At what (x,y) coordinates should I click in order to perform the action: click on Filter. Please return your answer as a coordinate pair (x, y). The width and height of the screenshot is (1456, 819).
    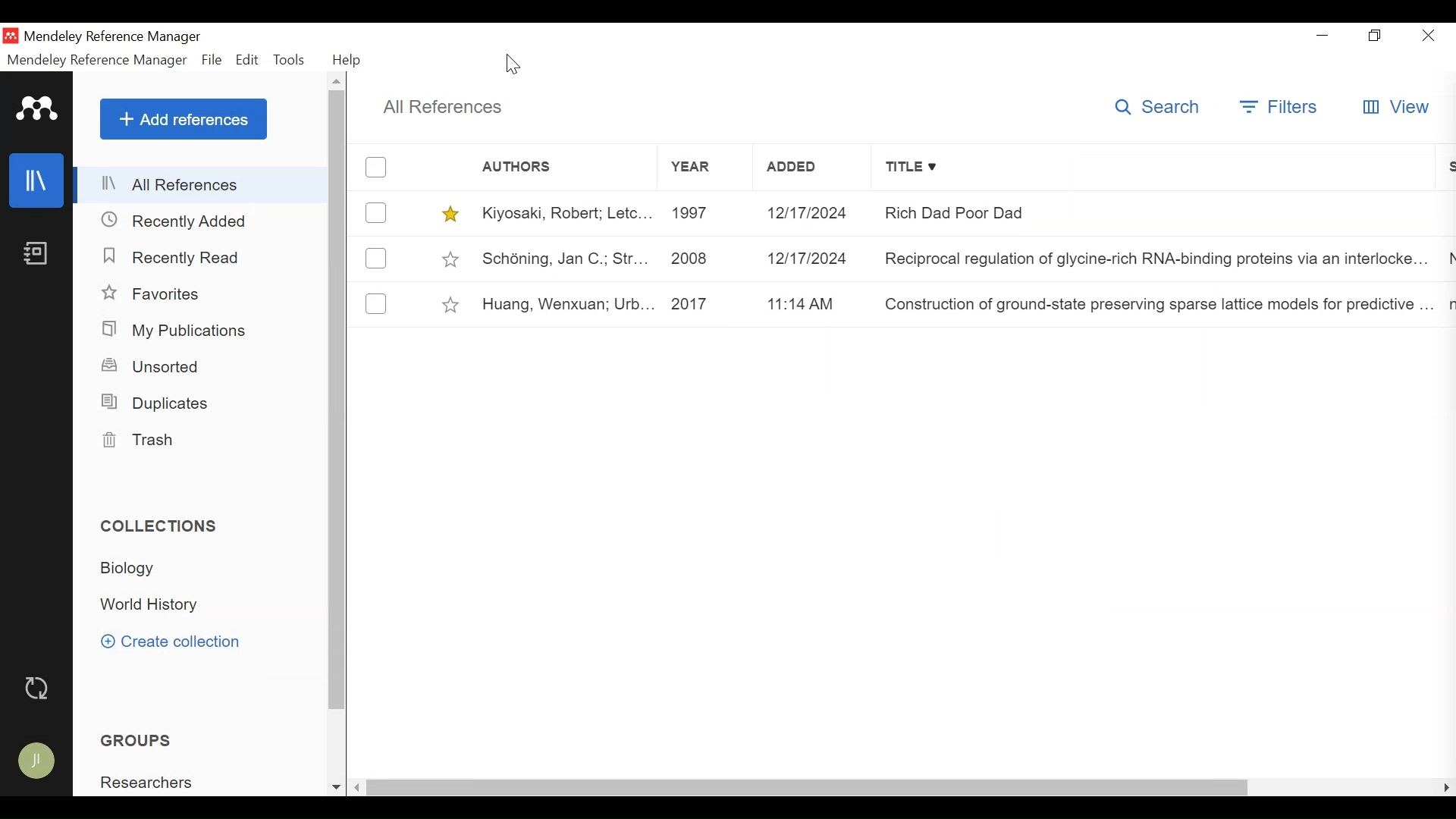
    Looking at the image, I should click on (1278, 105).